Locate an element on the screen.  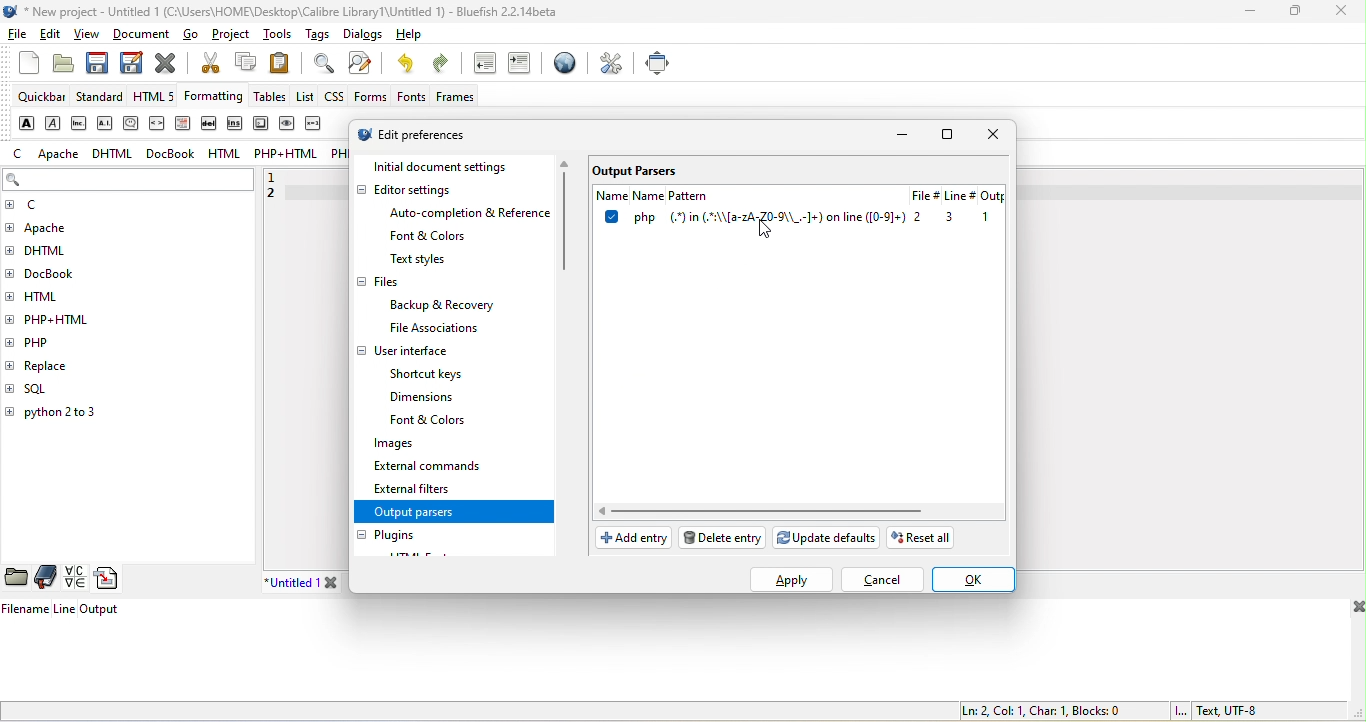
file browser is located at coordinates (17, 578).